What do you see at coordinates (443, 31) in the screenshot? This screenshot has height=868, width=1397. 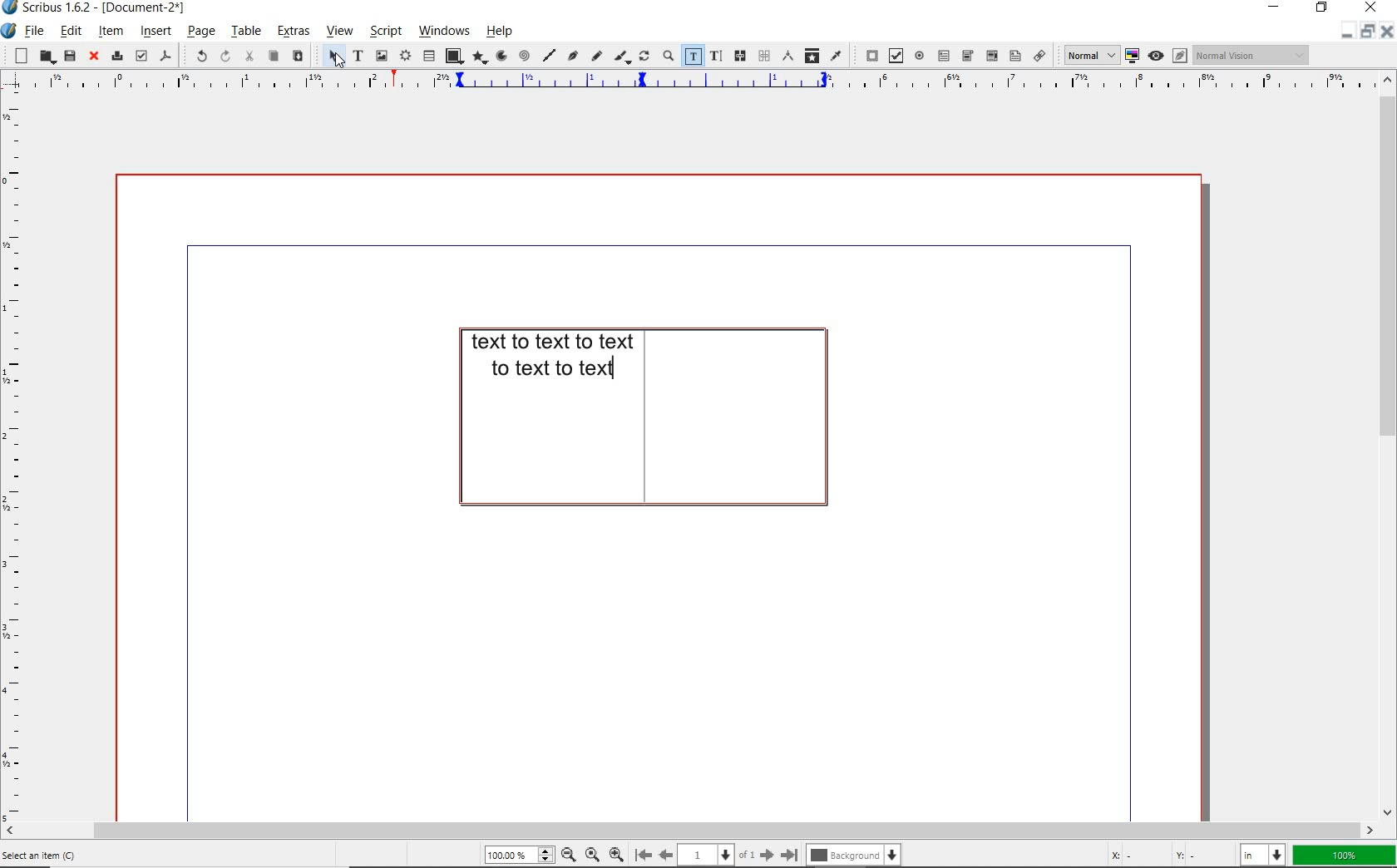 I see `windows` at bounding box center [443, 31].